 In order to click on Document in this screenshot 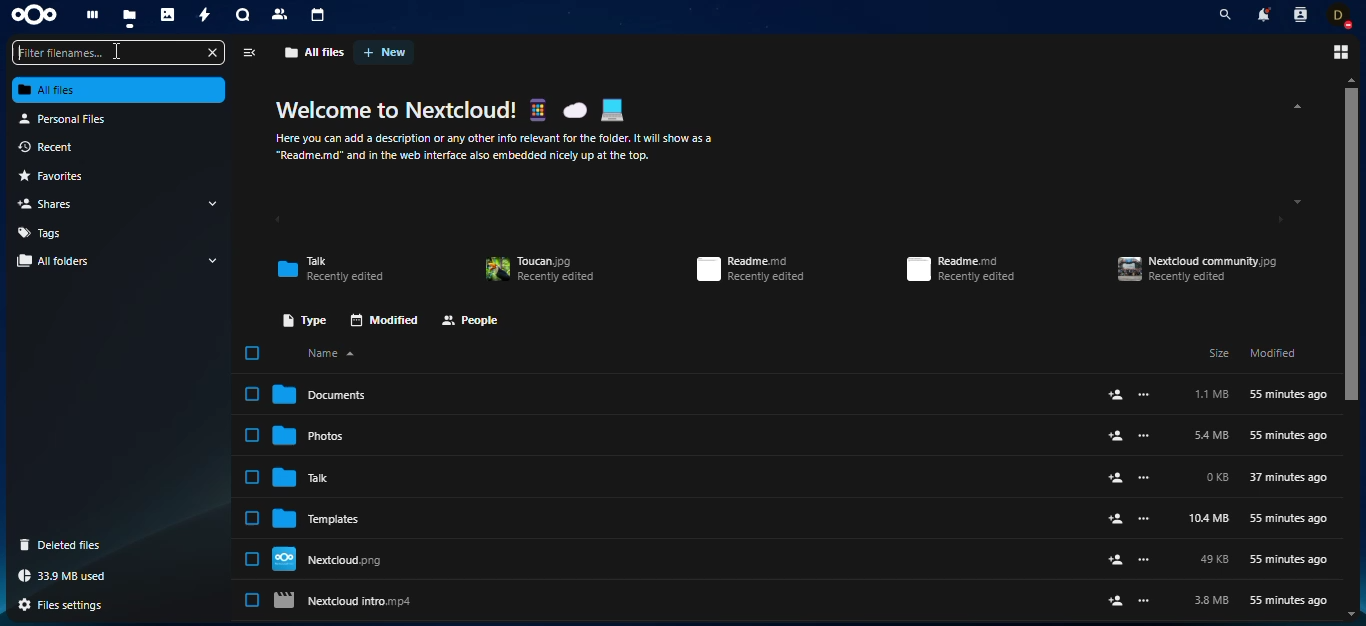, I will do `click(684, 394)`.